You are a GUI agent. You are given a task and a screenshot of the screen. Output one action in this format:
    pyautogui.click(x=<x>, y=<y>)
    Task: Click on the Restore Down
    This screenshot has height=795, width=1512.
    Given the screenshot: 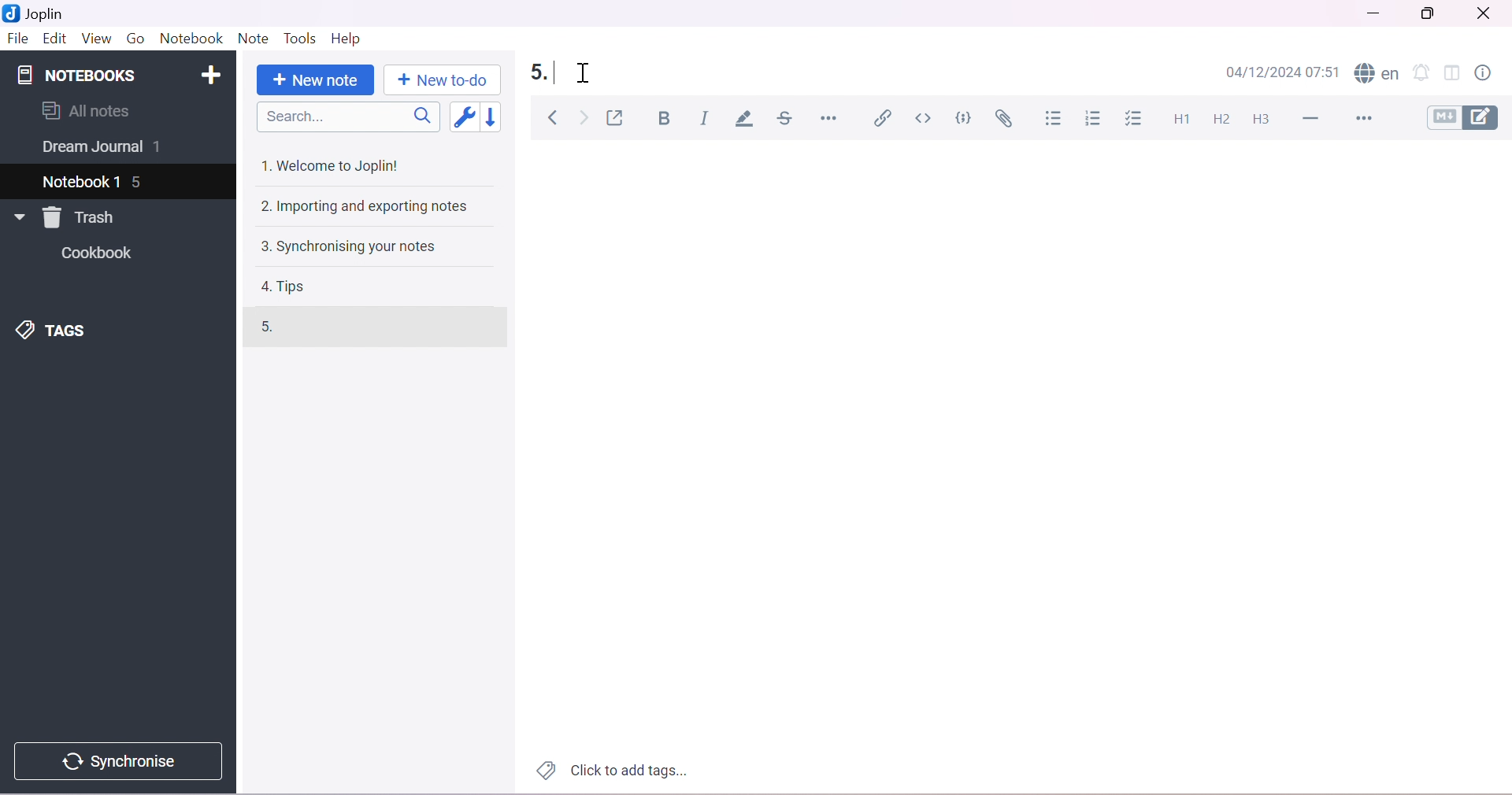 What is the action you would take?
    pyautogui.click(x=1434, y=13)
    